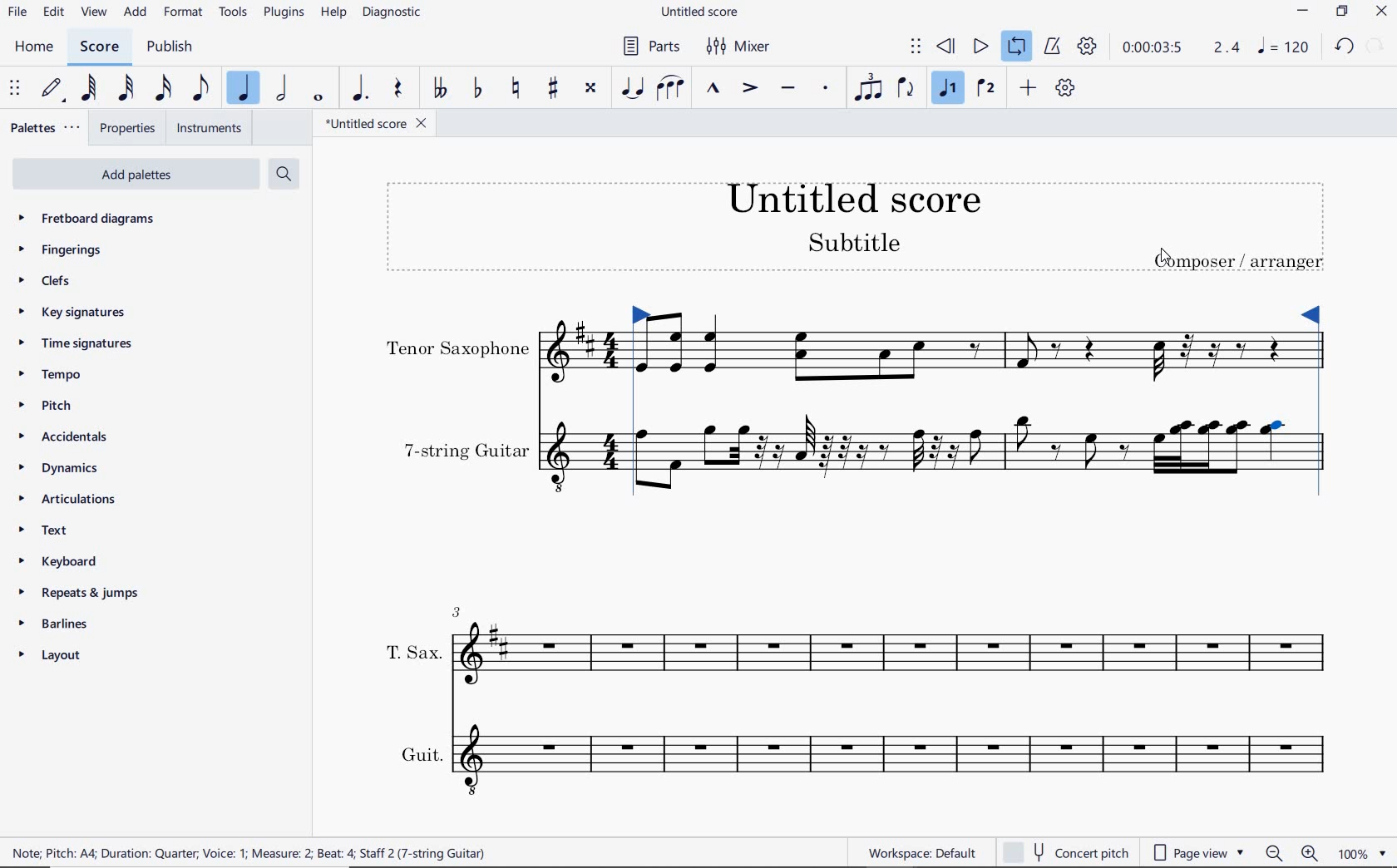  What do you see at coordinates (1064, 89) in the screenshot?
I see `CUSTOMIZE TOOLBAR` at bounding box center [1064, 89].